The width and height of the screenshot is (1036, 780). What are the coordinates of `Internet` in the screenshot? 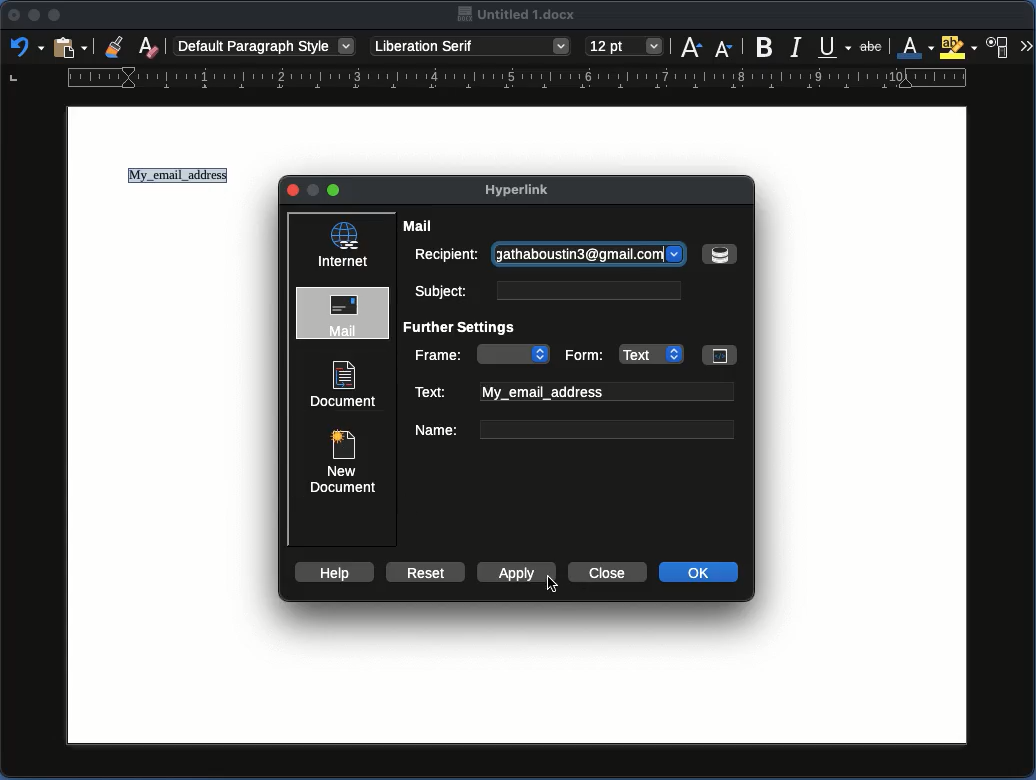 It's located at (344, 245).